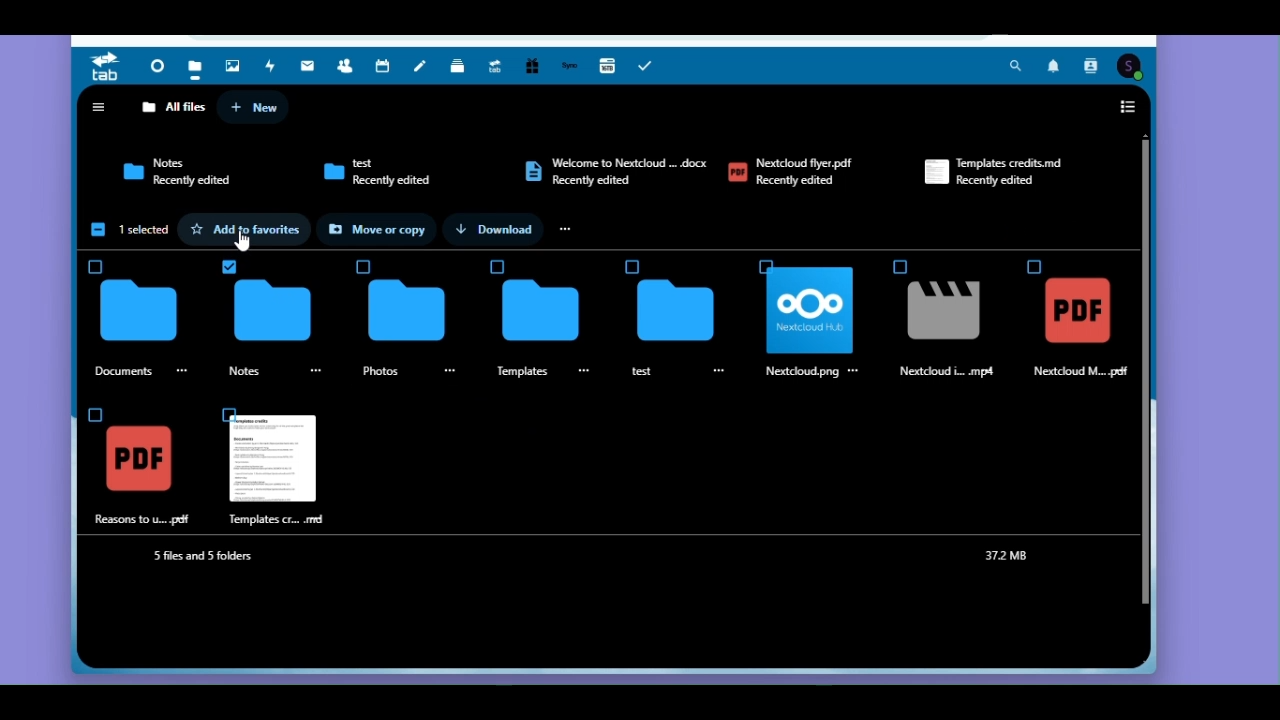 The width and height of the screenshot is (1280, 720). I want to click on Check Box, so click(632, 266).